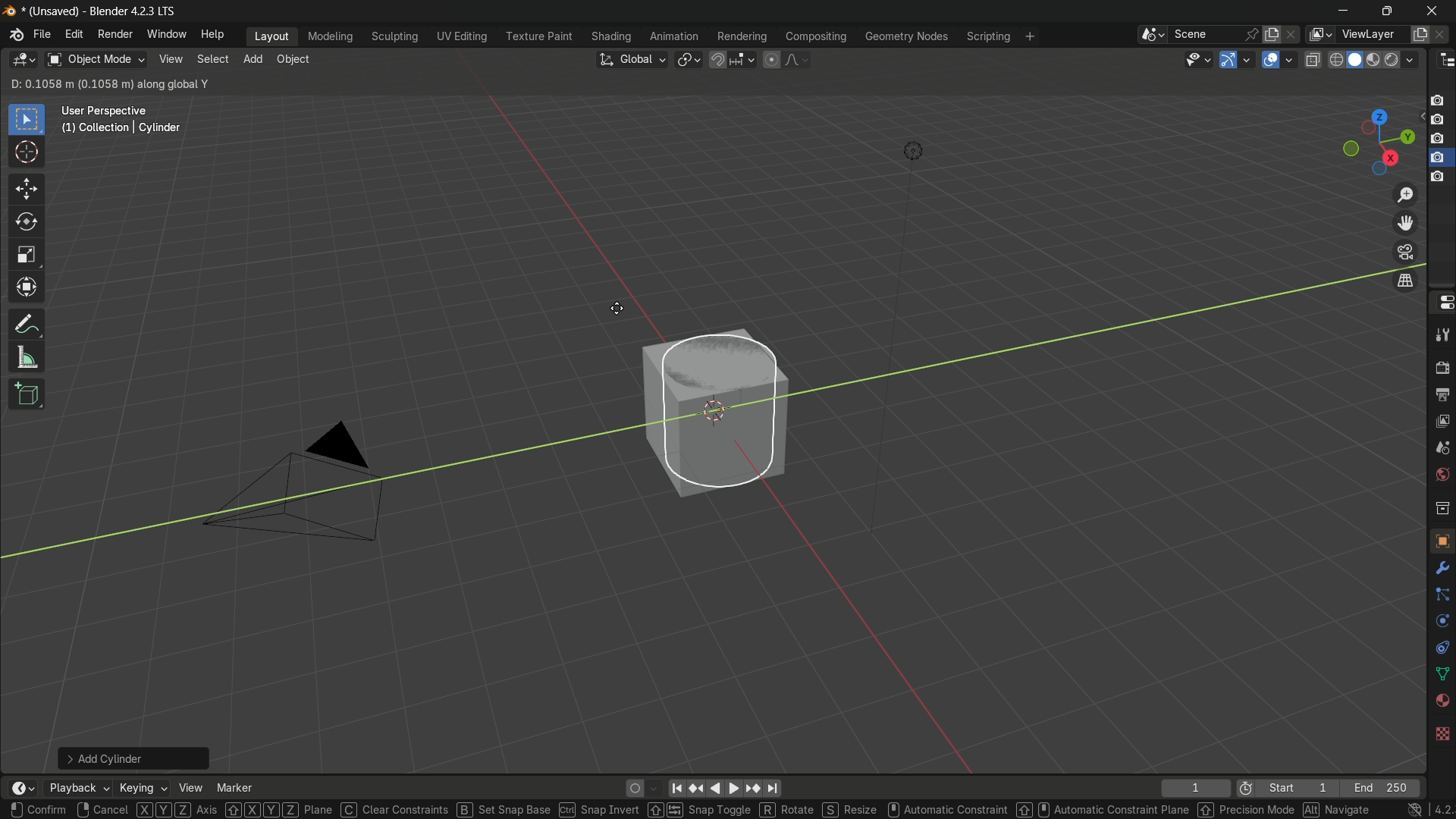 Image resolution: width=1456 pixels, height=819 pixels. What do you see at coordinates (1442, 99) in the screenshot?
I see `capture` at bounding box center [1442, 99].